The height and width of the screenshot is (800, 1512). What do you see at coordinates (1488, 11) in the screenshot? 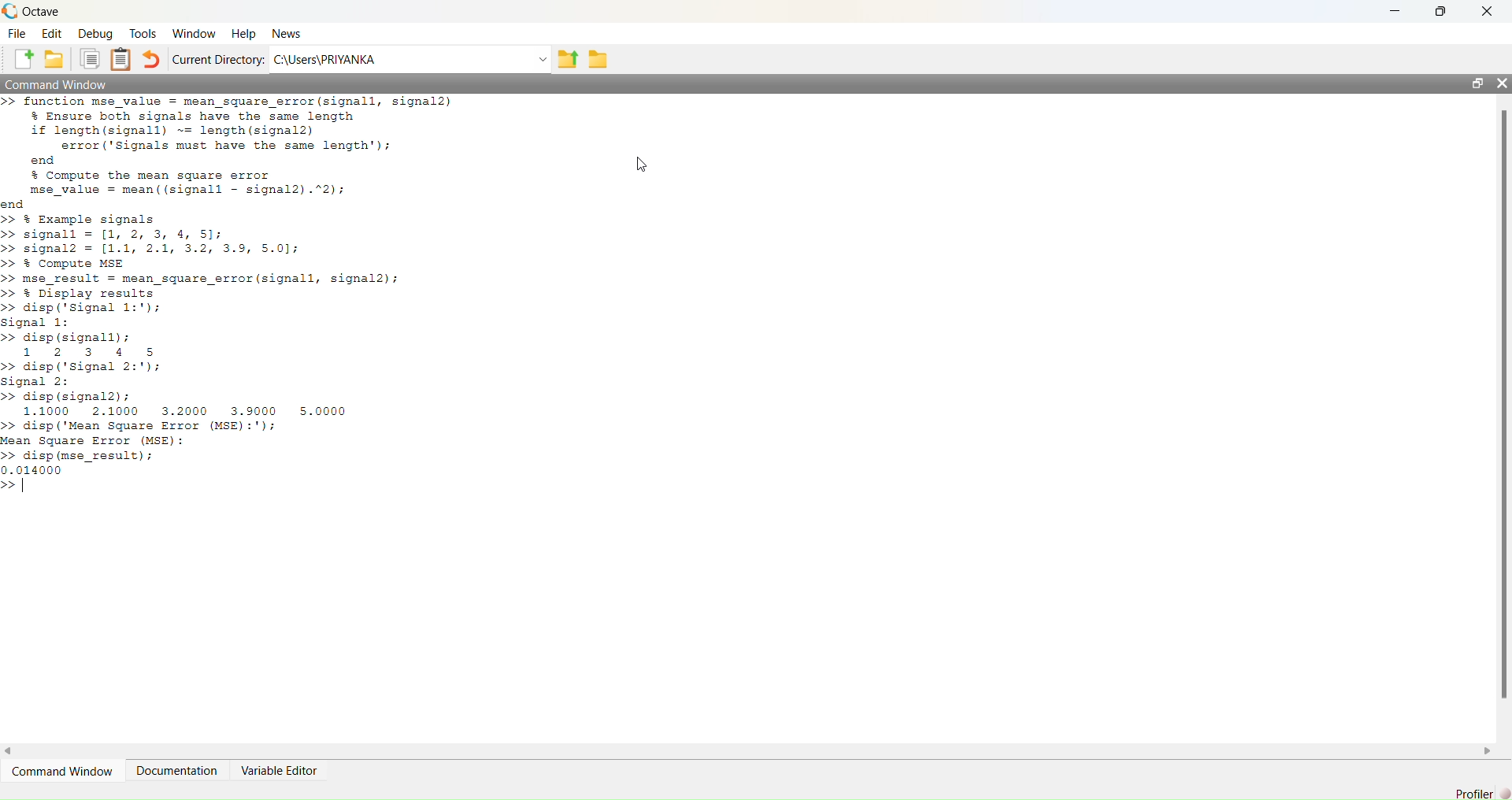
I see `close` at bounding box center [1488, 11].